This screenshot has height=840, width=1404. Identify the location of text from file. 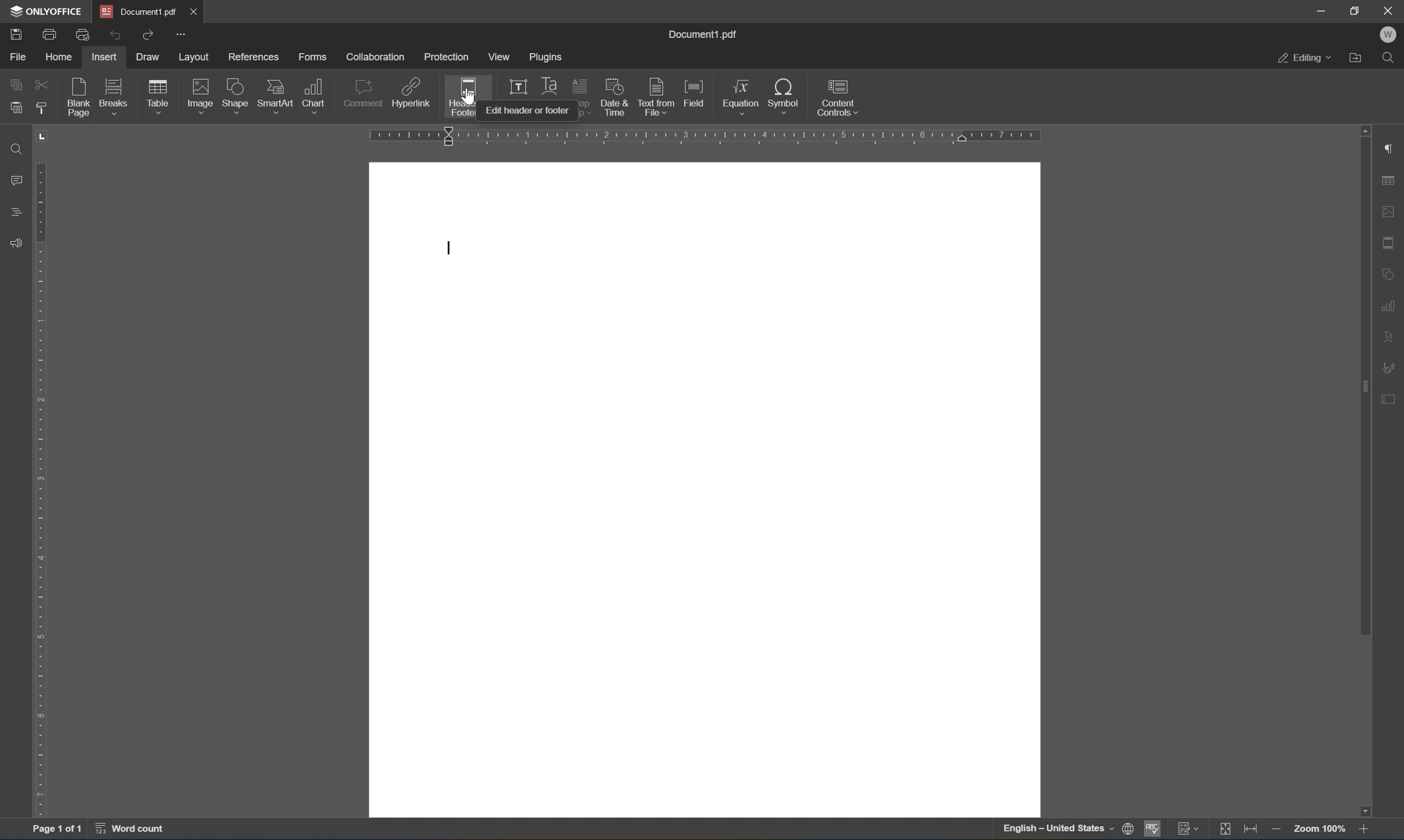
(657, 96).